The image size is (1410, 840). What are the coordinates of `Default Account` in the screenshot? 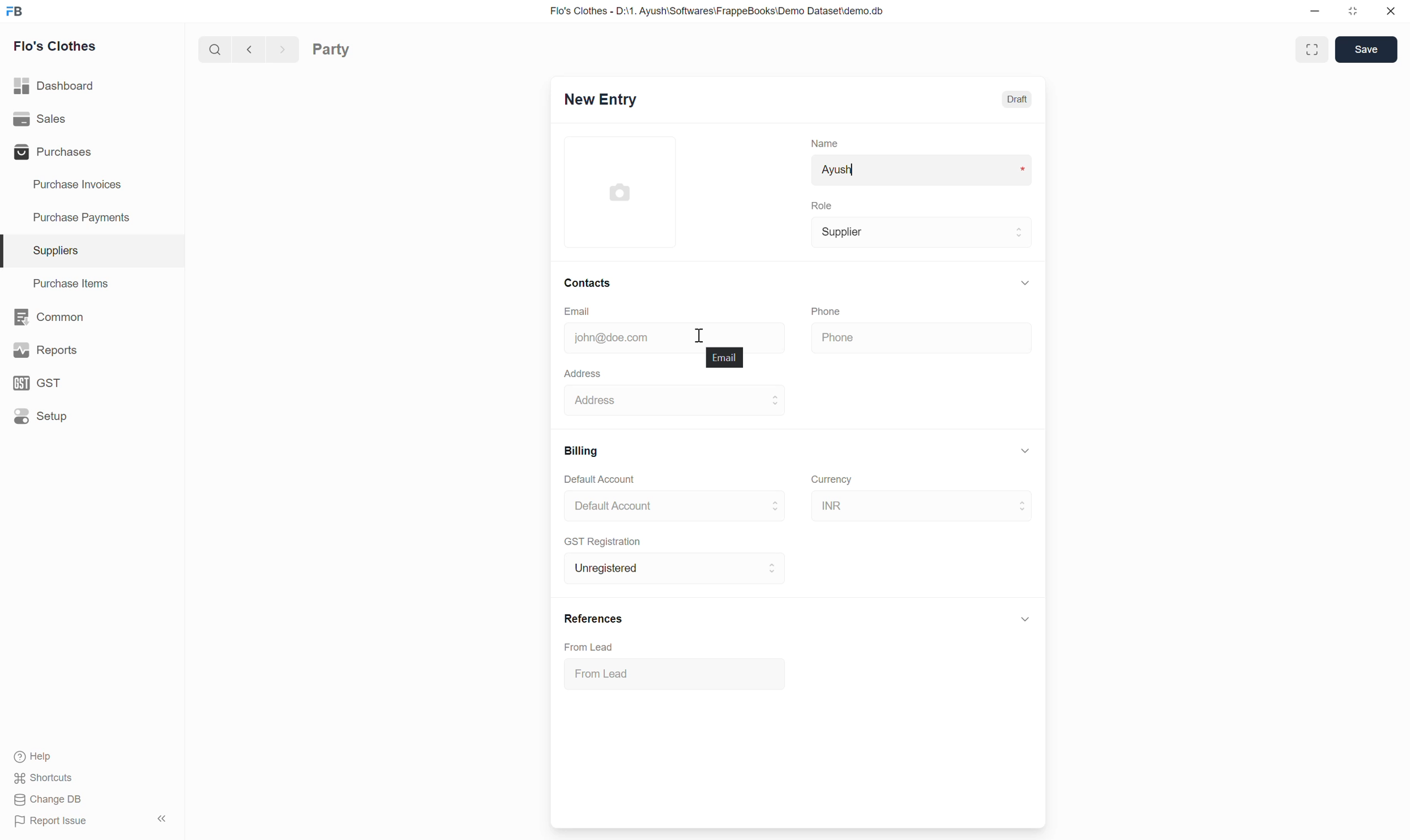 It's located at (600, 478).